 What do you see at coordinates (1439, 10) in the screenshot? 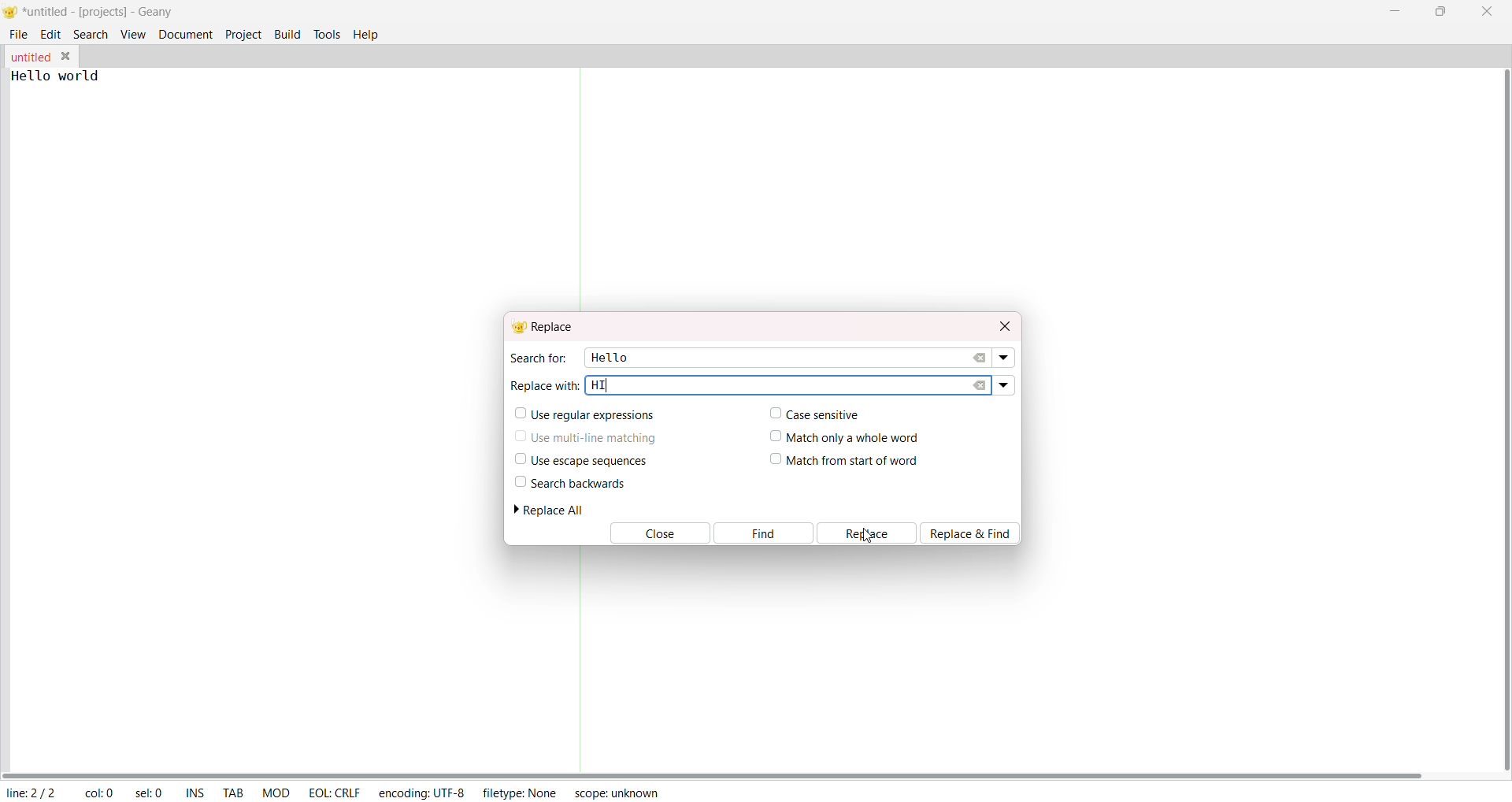
I see `maximize` at bounding box center [1439, 10].